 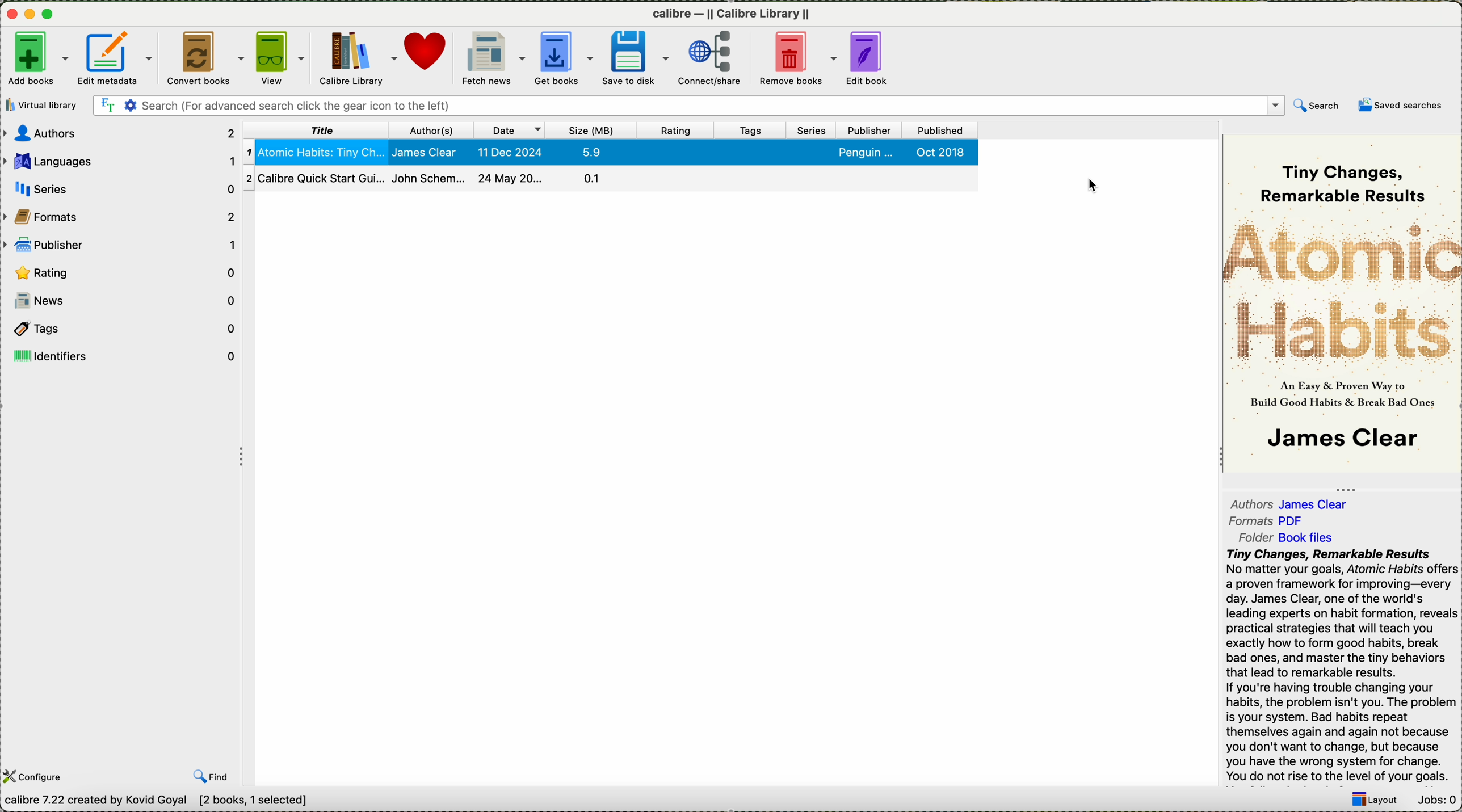 What do you see at coordinates (1376, 800) in the screenshot?
I see `Layout` at bounding box center [1376, 800].